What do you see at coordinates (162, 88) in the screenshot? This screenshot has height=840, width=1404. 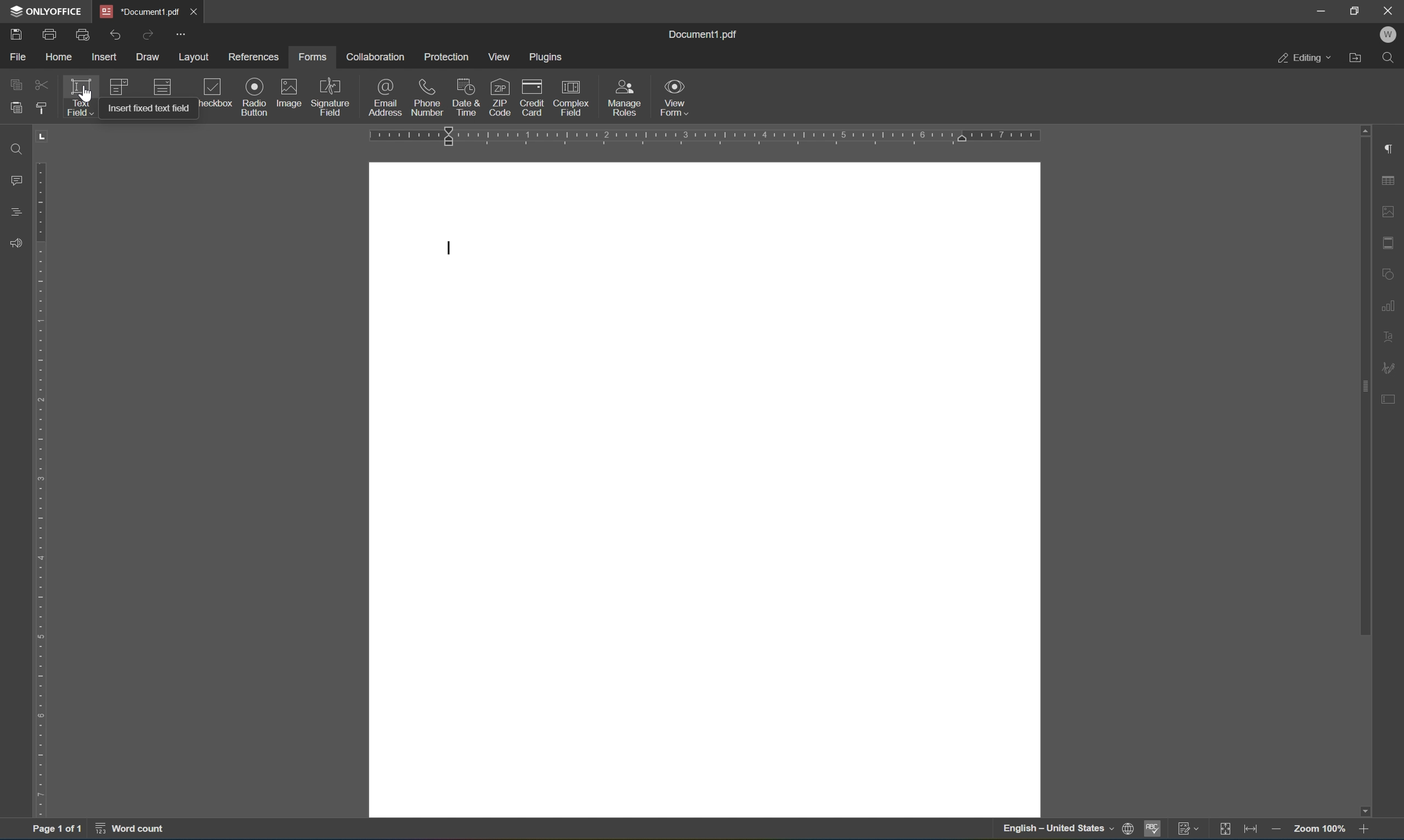 I see `icon` at bounding box center [162, 88].